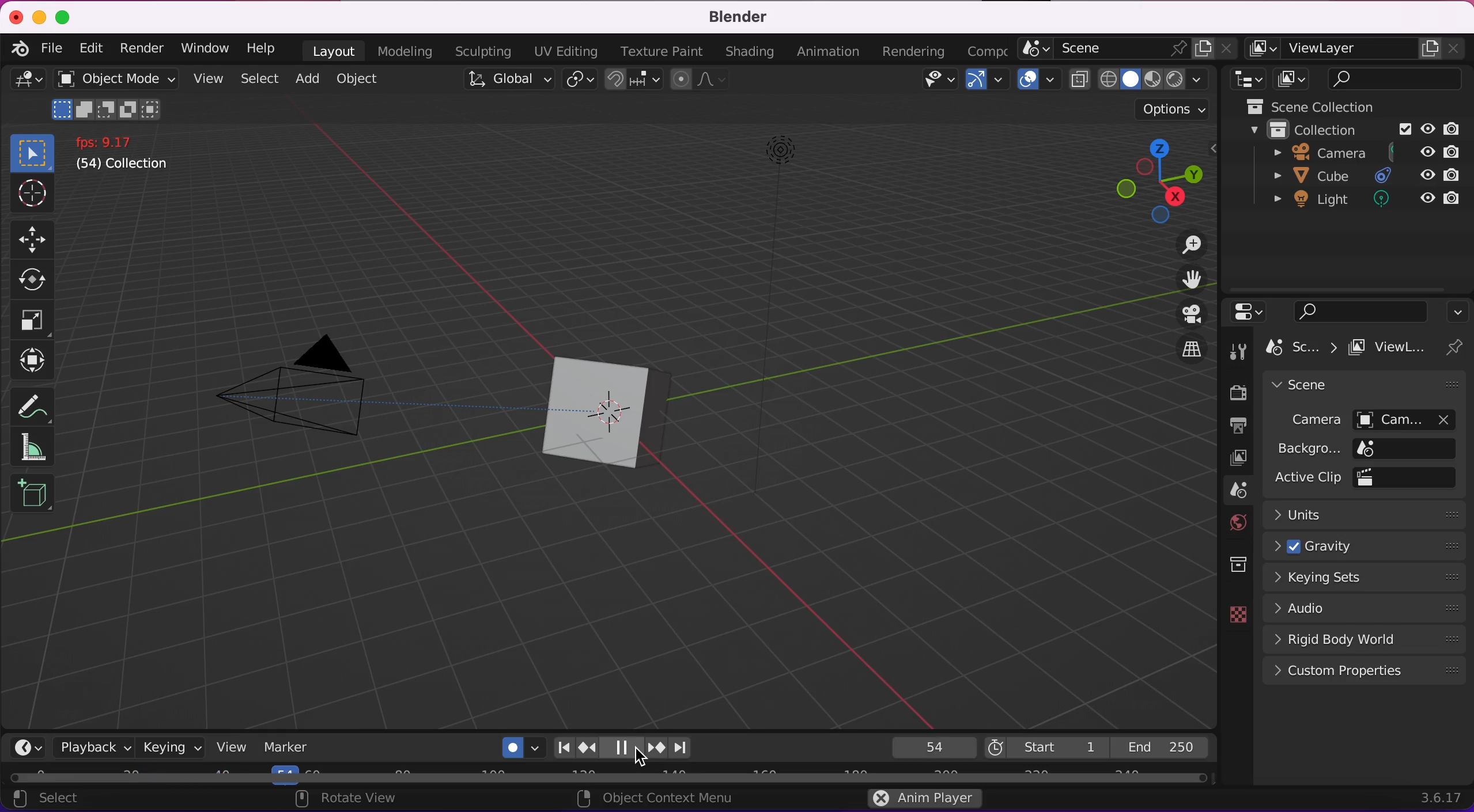 Image resolution: width=1474 pixels, height=812 pixels. What do you see at coordinates (319, 385) in the screenshot?
I see `camera` at bounding box center [319, 385].